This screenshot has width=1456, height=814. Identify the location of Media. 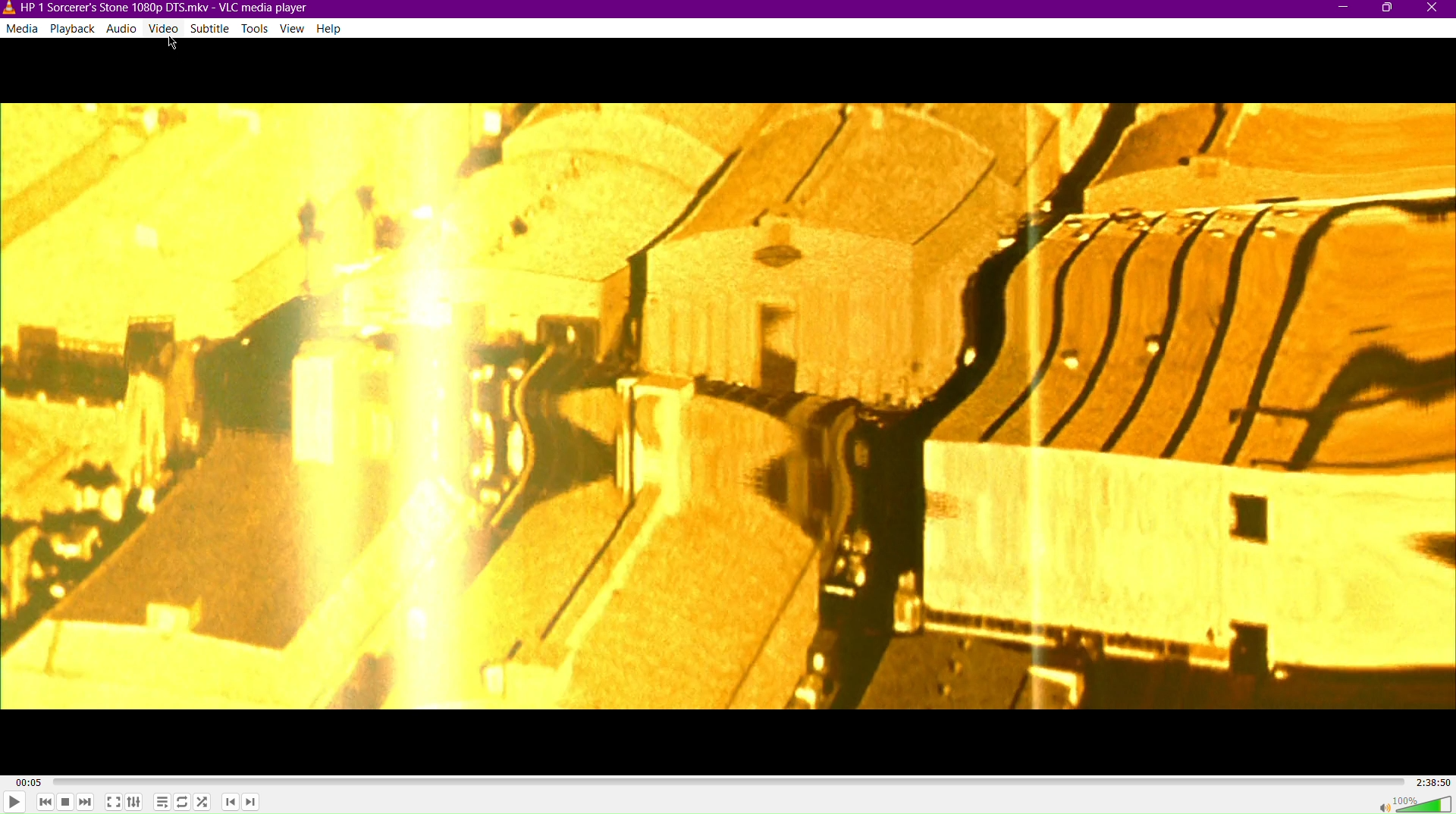
(23, 30).